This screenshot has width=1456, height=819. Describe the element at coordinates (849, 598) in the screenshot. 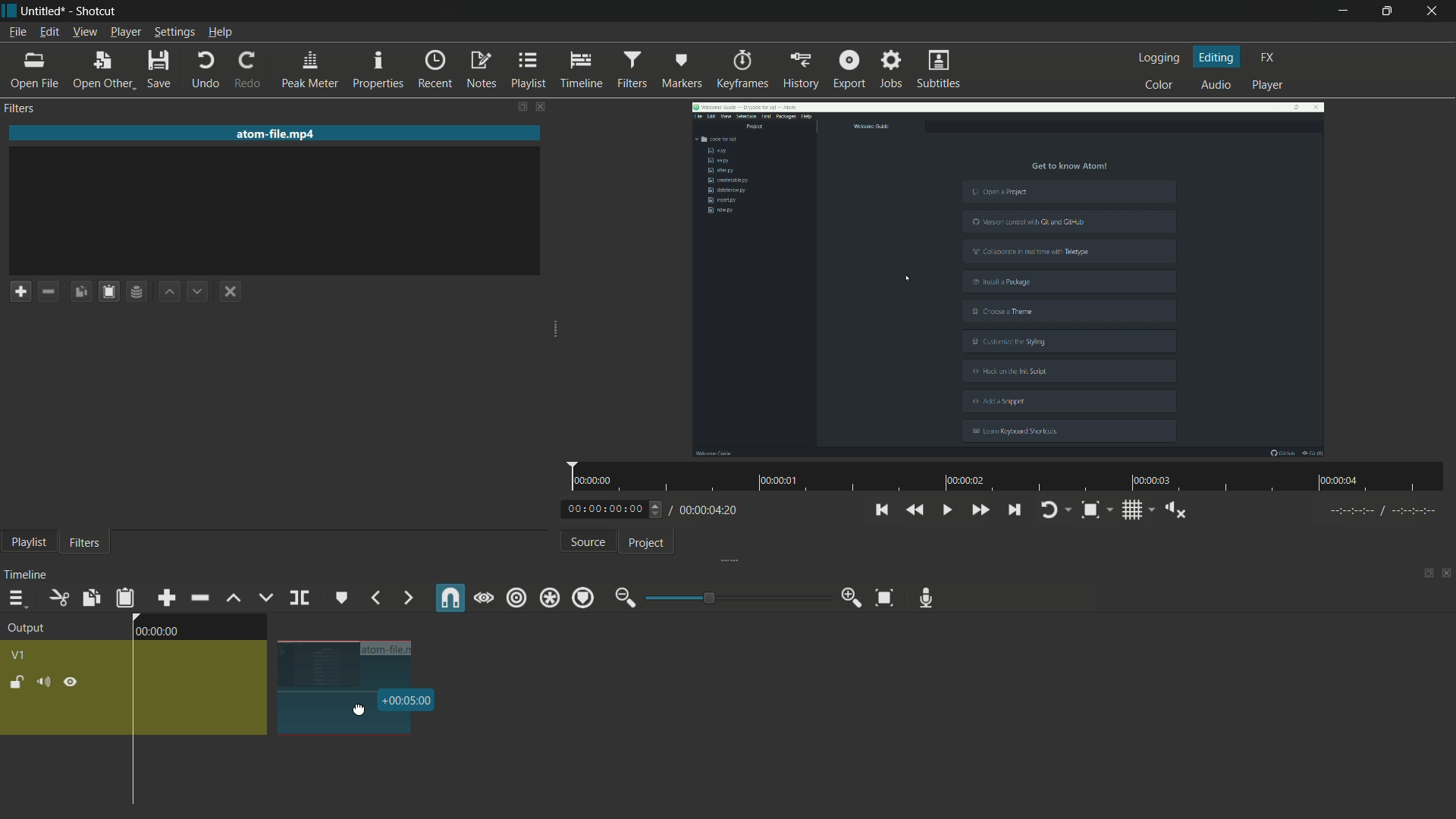

I see `zoom in` at that location.